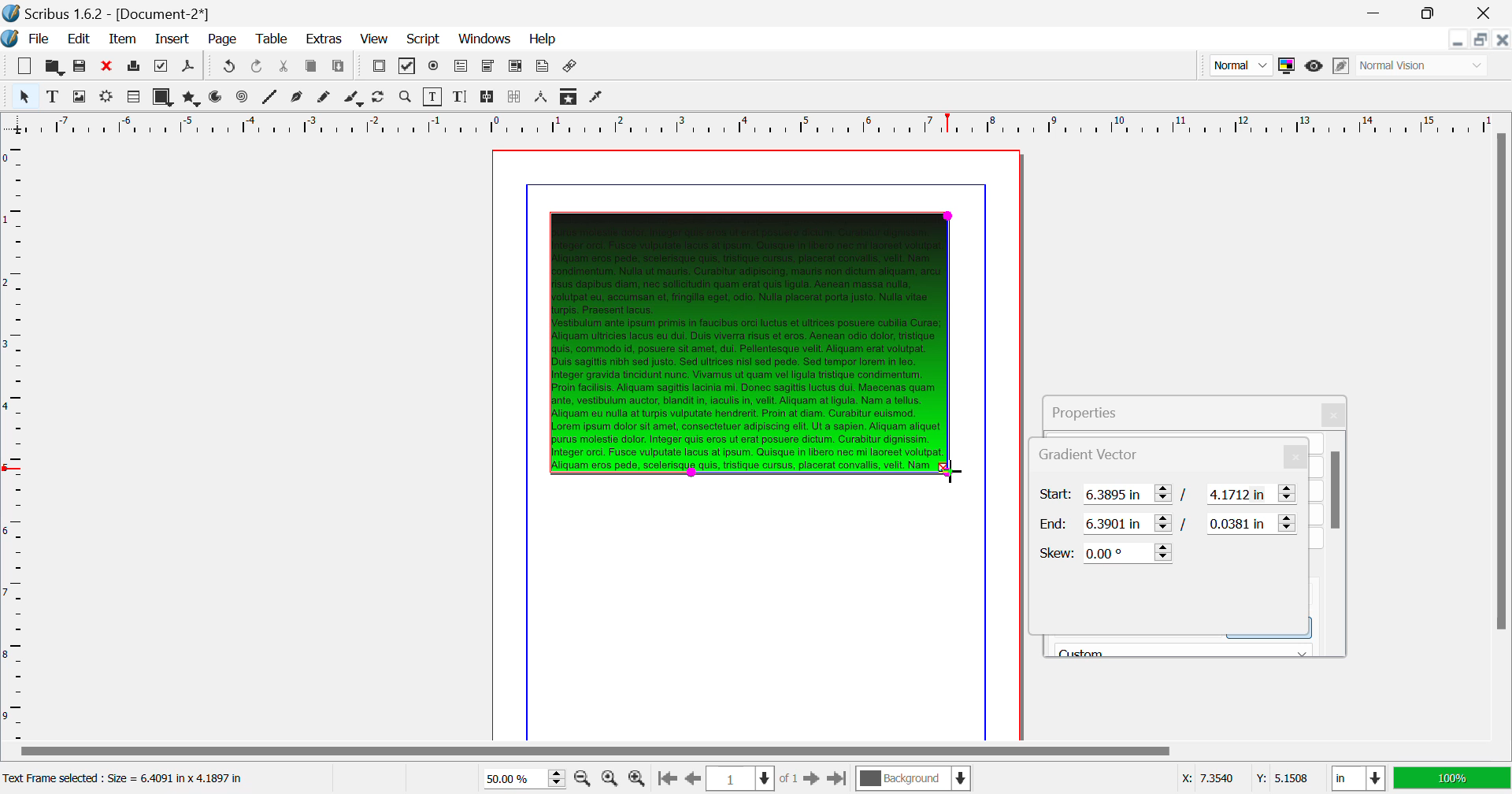 This screenshot has height=794, width=1512. I want to click on Zoom to 100%, so click(610, 778).